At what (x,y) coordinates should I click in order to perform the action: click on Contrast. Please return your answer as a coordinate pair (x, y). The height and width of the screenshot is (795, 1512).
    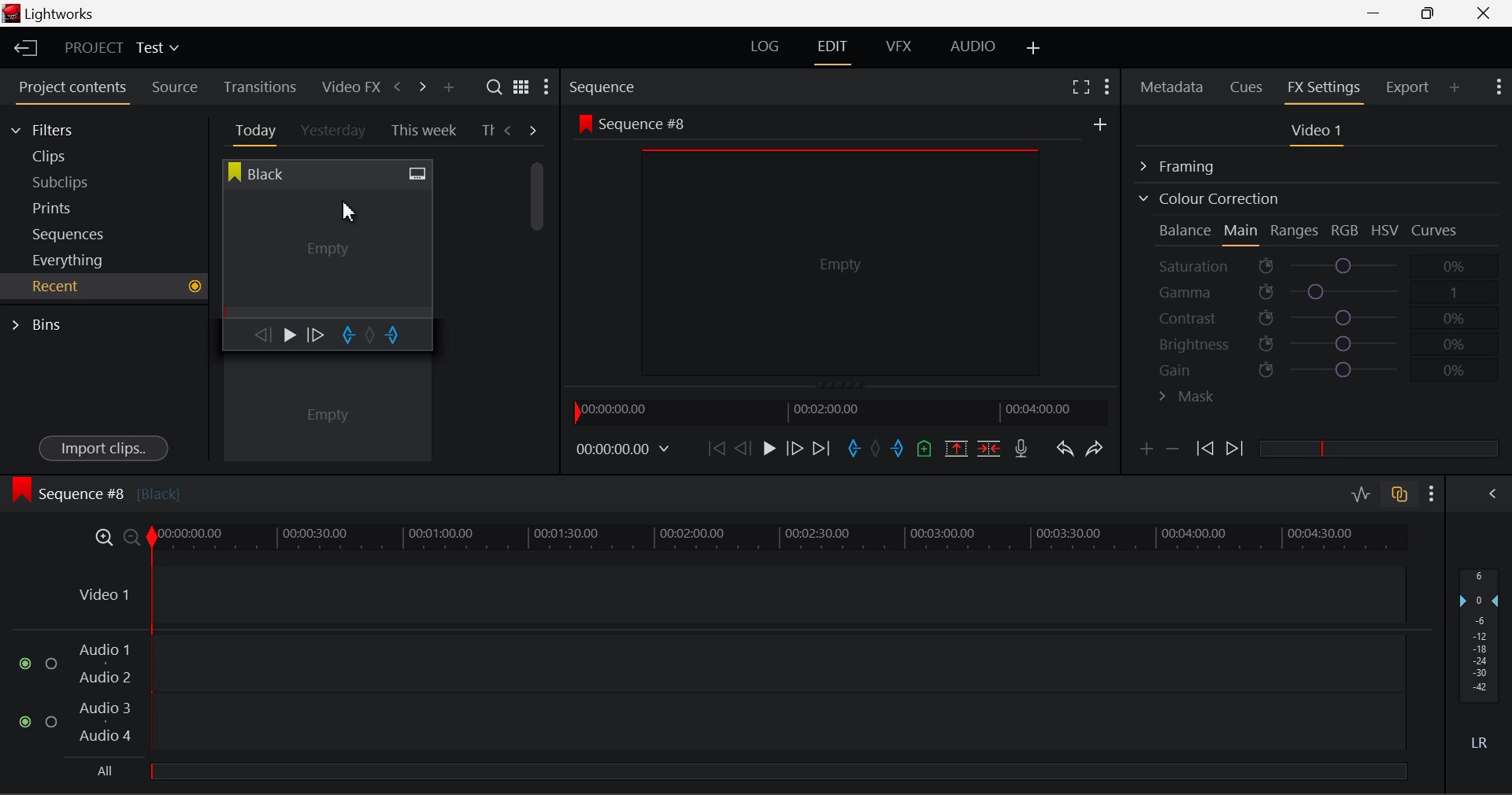
    Looking at the image, I should click on (1318, 317).